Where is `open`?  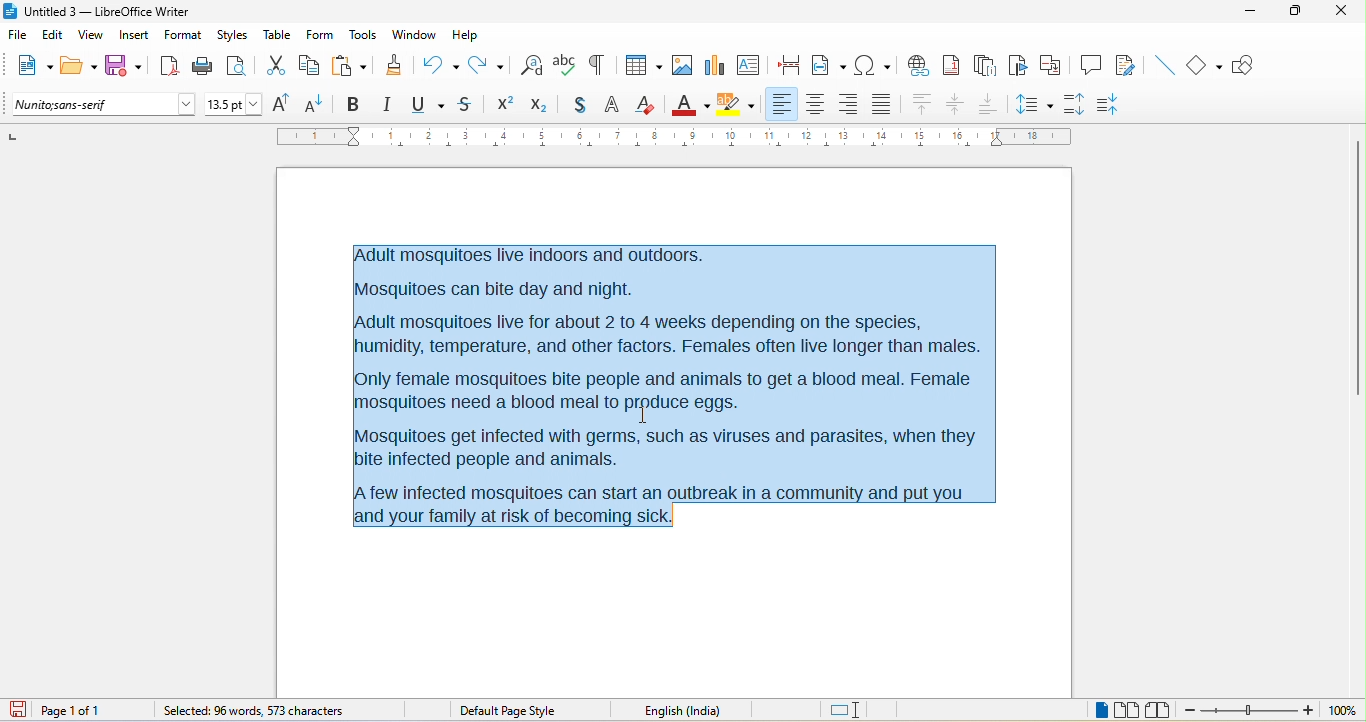
open is located at coordinates (79, 67).